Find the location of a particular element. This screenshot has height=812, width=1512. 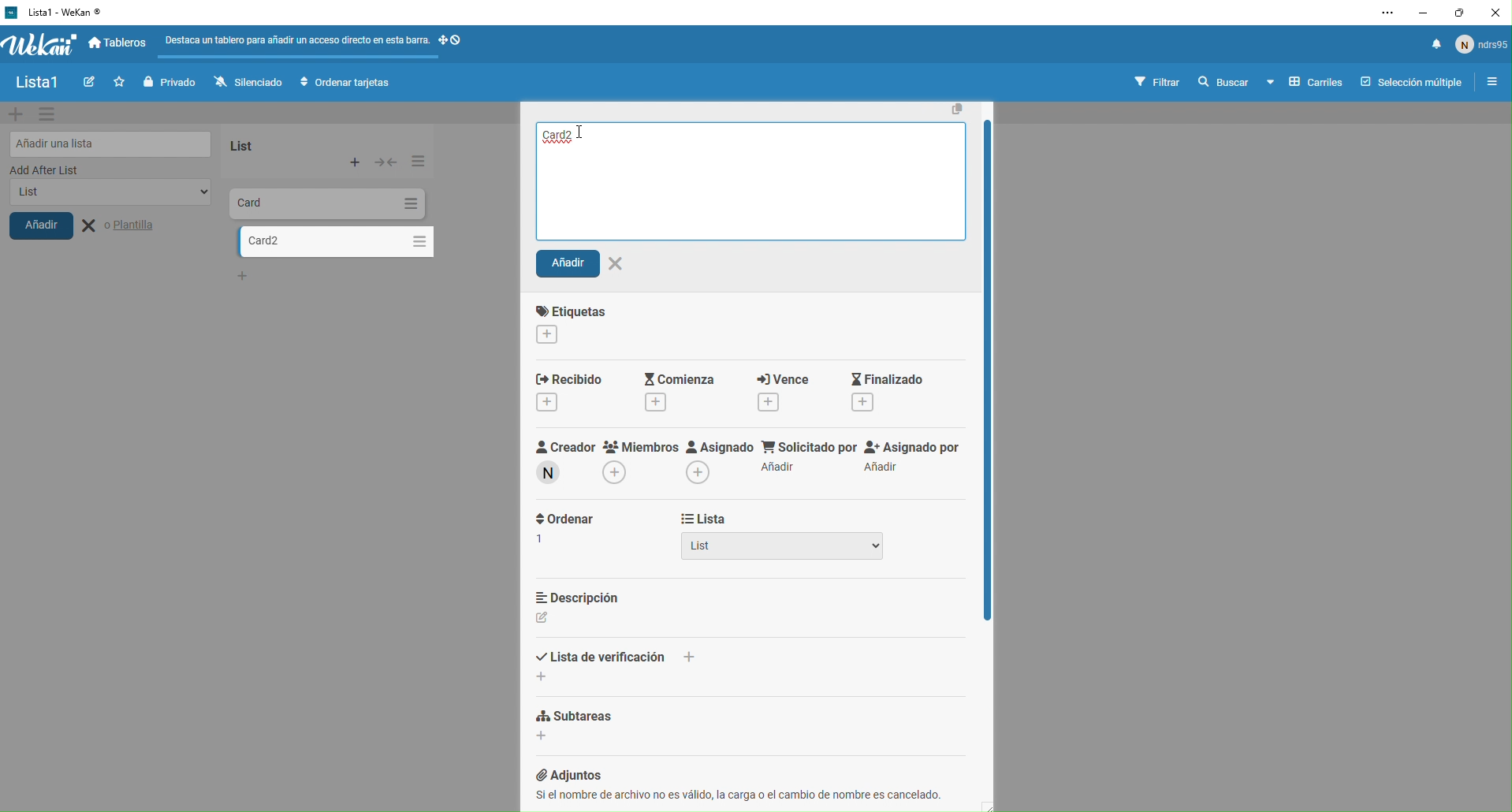

Solicitado Pon is located at coordinates (806, 456).